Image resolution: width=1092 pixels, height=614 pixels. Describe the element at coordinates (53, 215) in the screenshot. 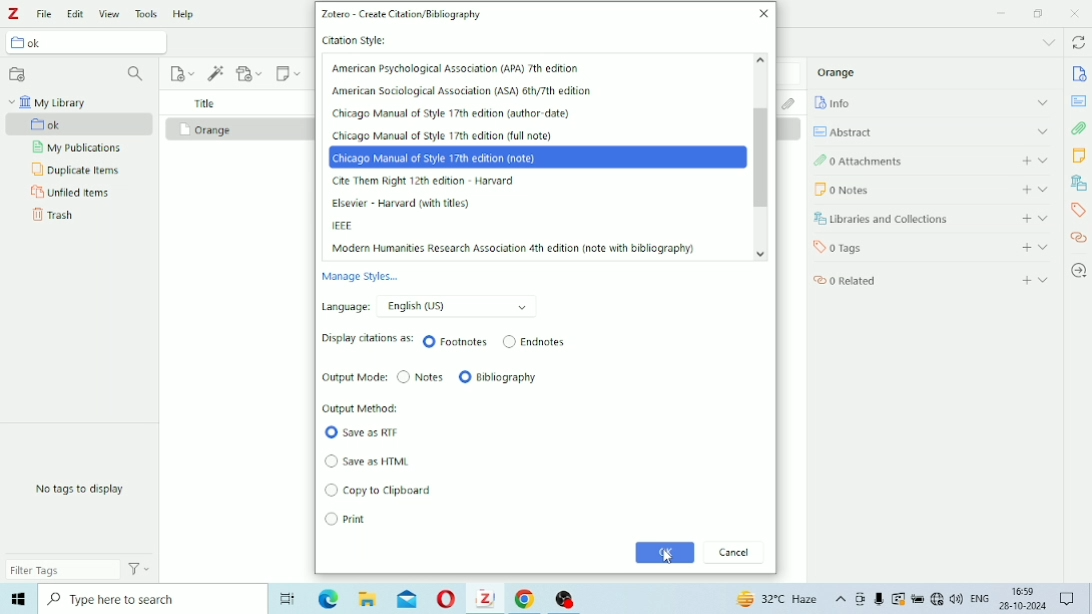

I see `Trash` at that location.